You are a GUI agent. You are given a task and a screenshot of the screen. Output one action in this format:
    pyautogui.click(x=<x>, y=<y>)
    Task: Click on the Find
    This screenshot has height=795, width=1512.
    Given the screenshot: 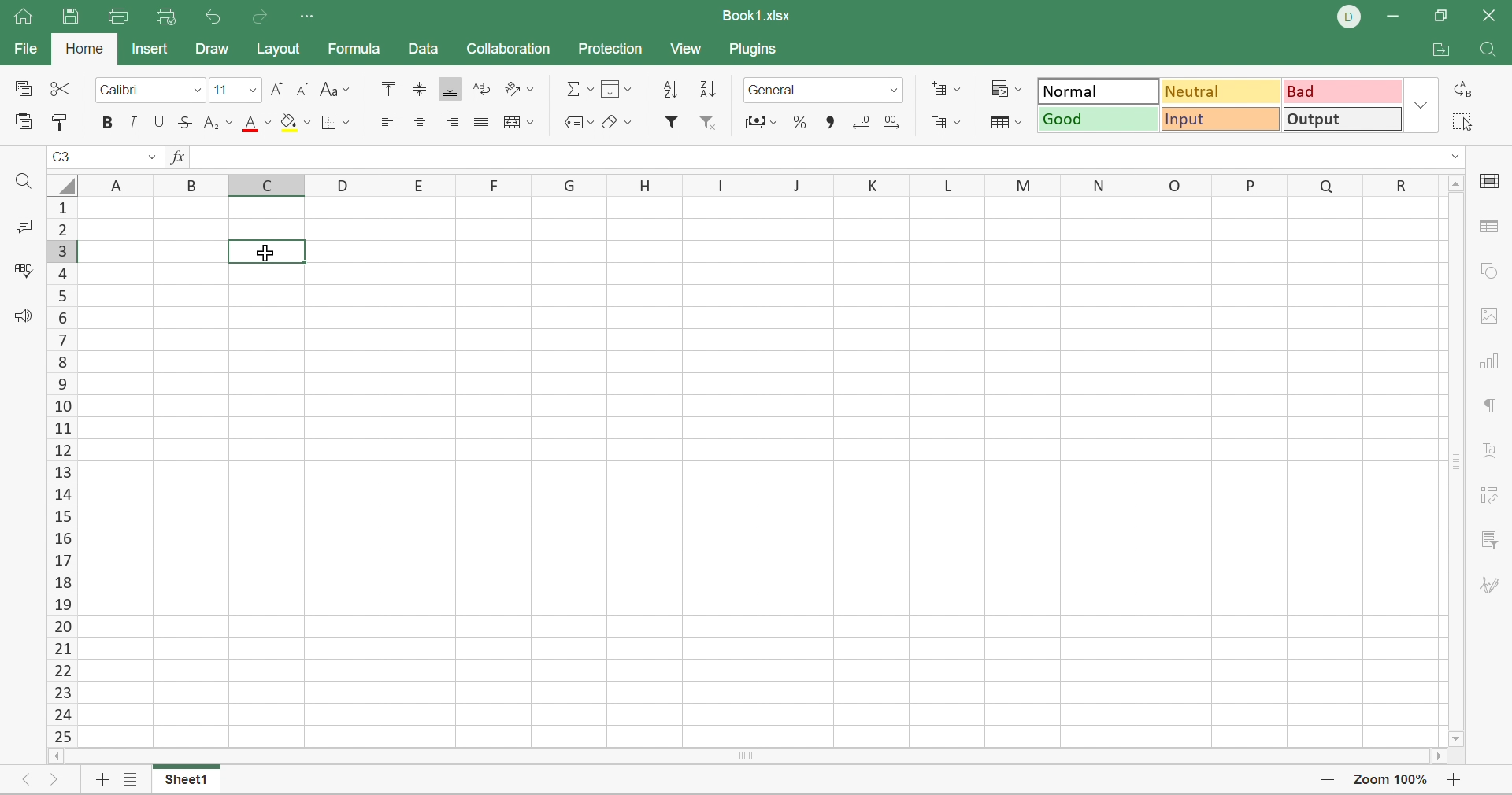 What is the action you would take?
    pyautogui.click(x=20, y=184)
    